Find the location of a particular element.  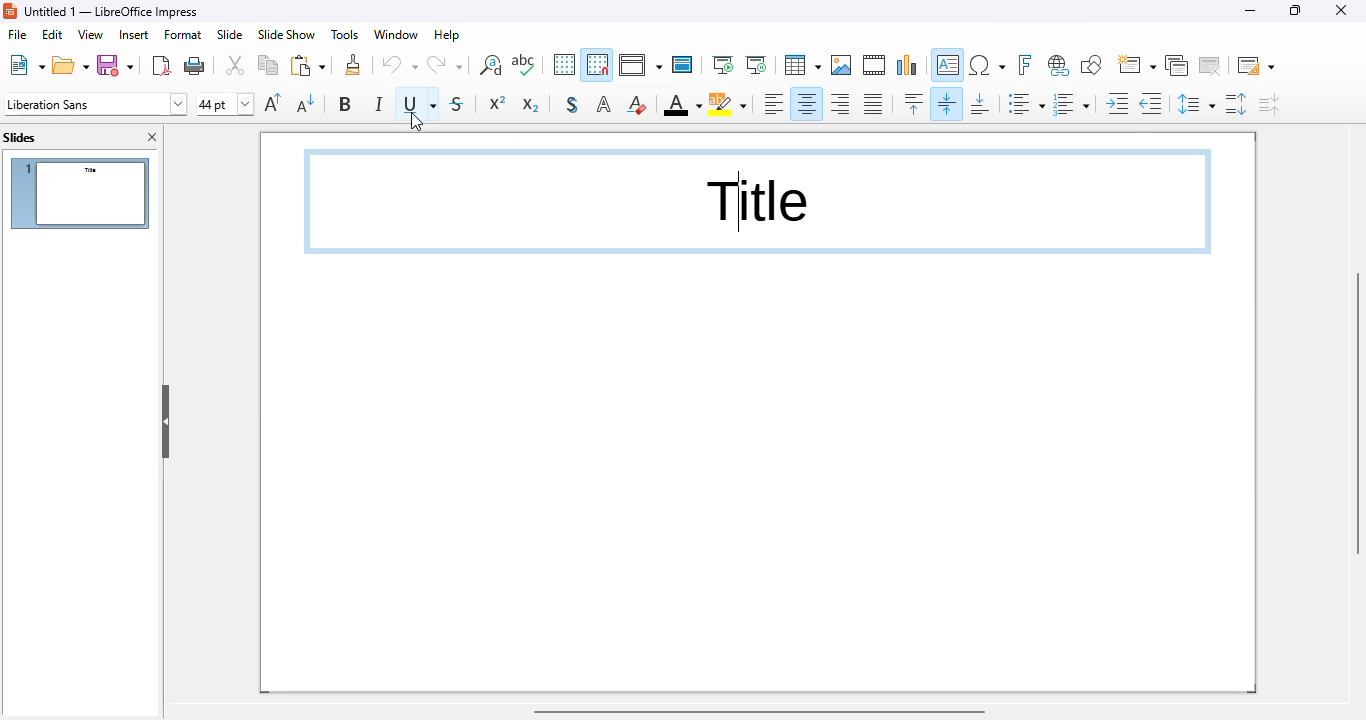

slide layout is located at coordinates (1256, 65).